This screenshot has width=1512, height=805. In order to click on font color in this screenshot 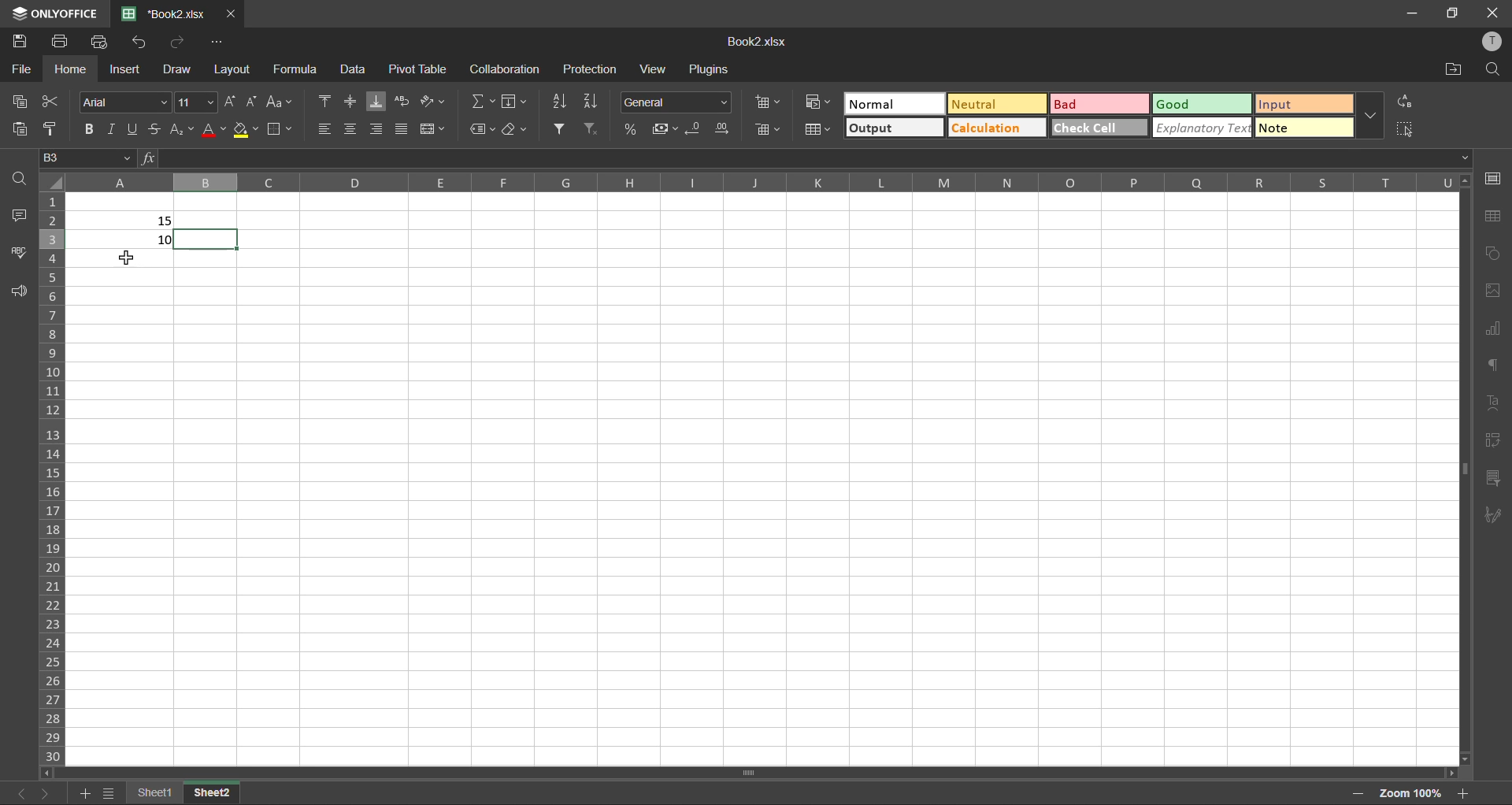, I will do `click(213, 127)`.